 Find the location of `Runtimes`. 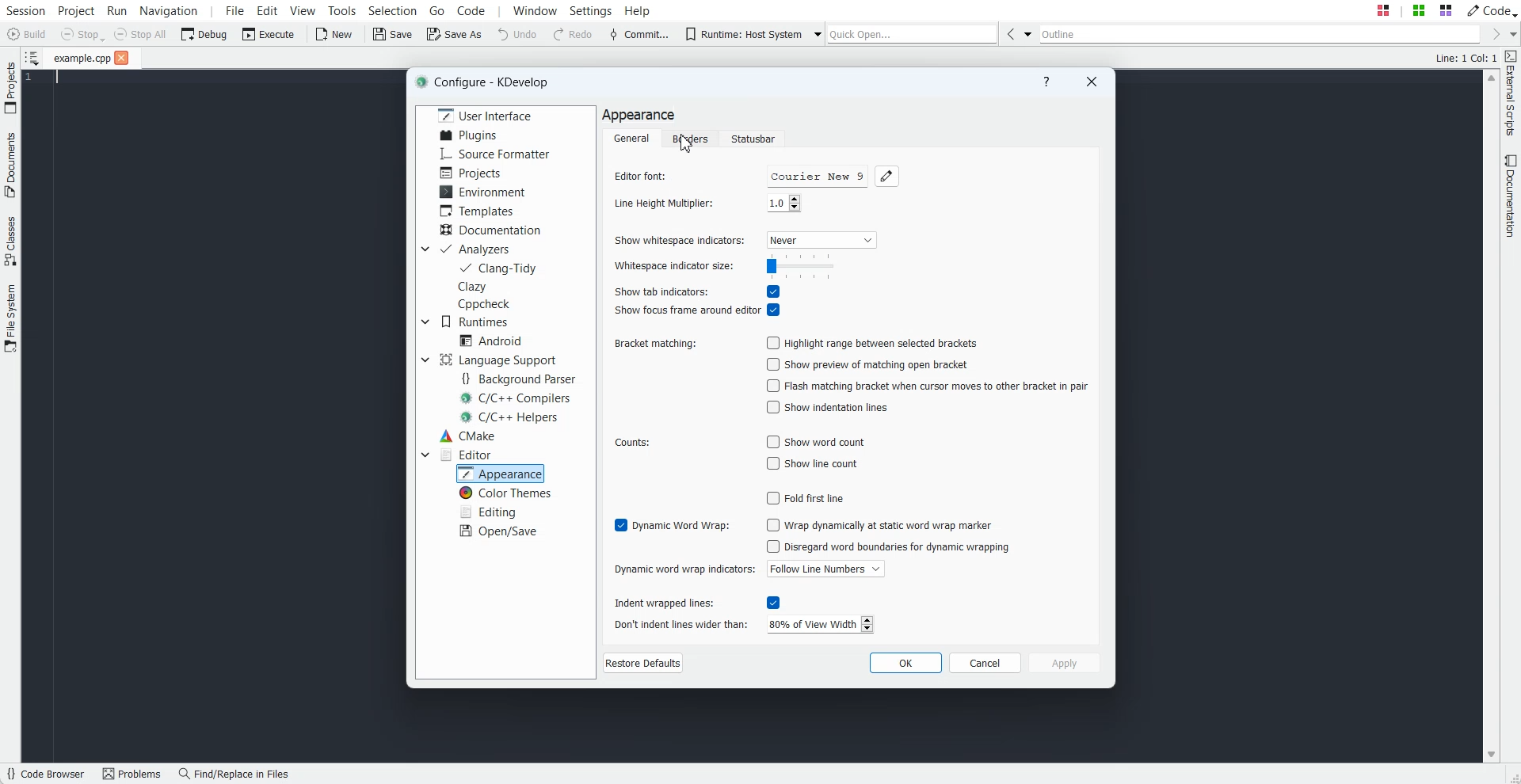

Runtimes is located at coordinates (475, 321).